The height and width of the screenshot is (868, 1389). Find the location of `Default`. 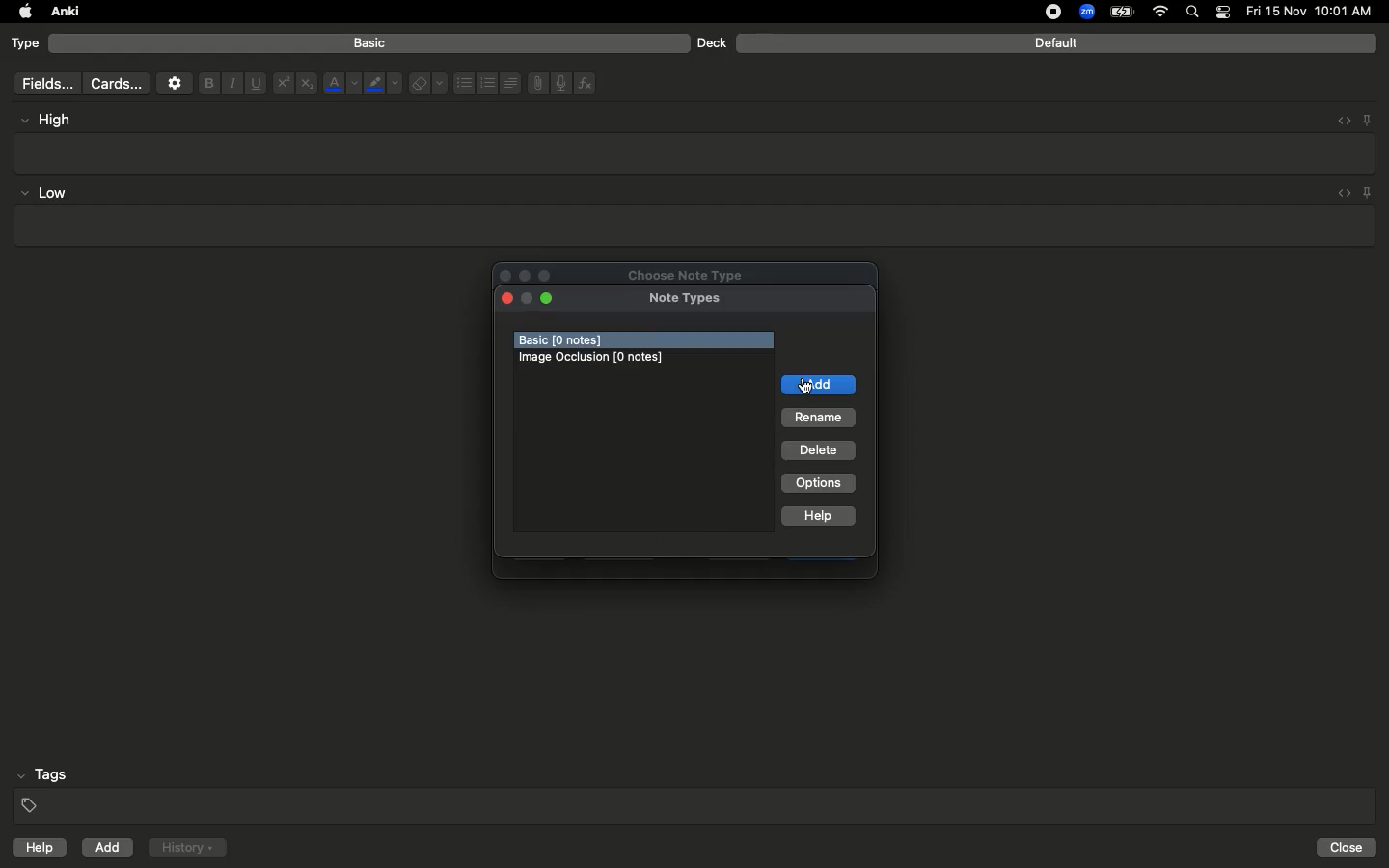

Default is located at coordinates (1056, 43).